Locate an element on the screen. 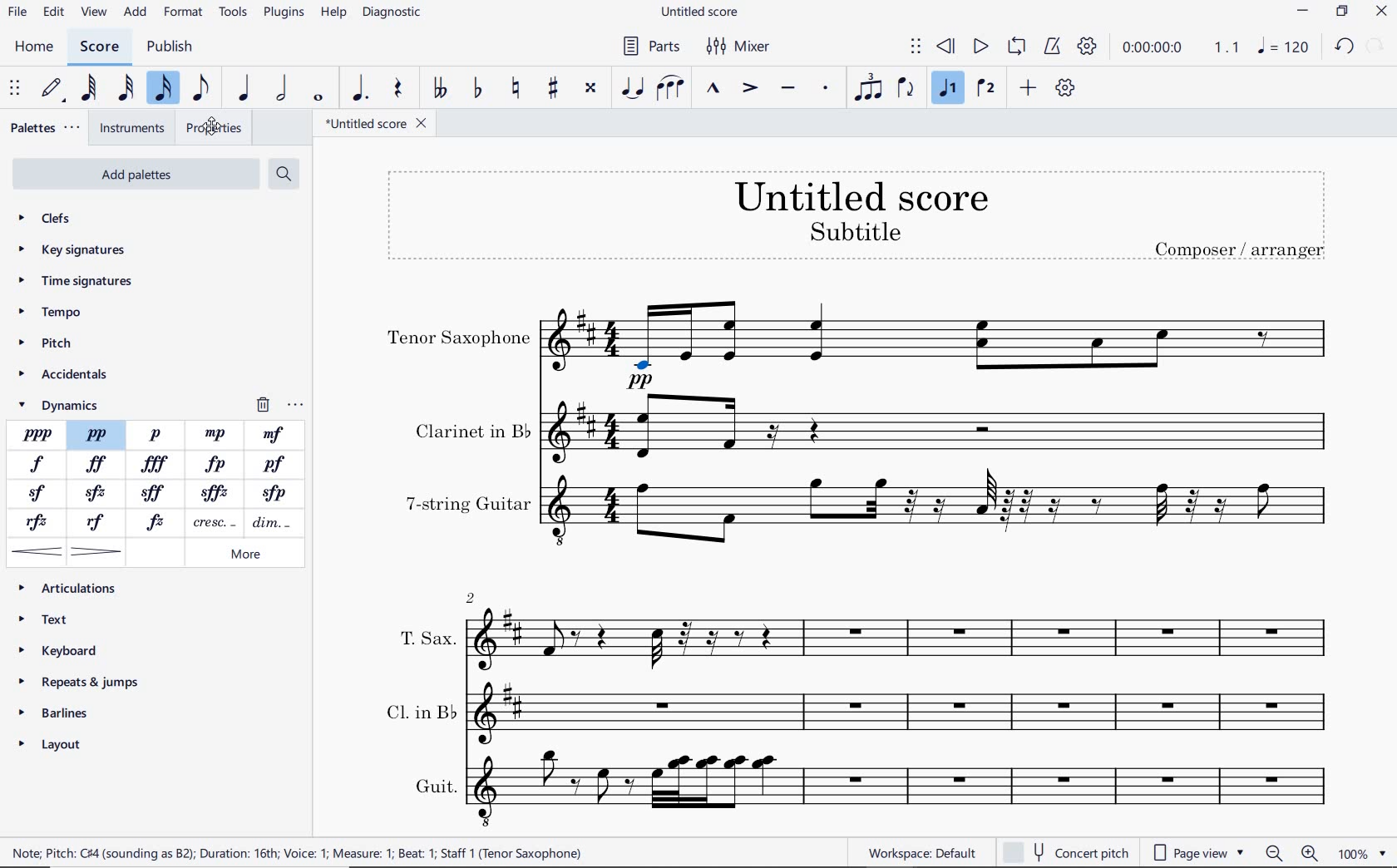 Image resolution: width=1397 pixels, height=868 pixels. 7-string guitar is located at coordinates (942, 515).